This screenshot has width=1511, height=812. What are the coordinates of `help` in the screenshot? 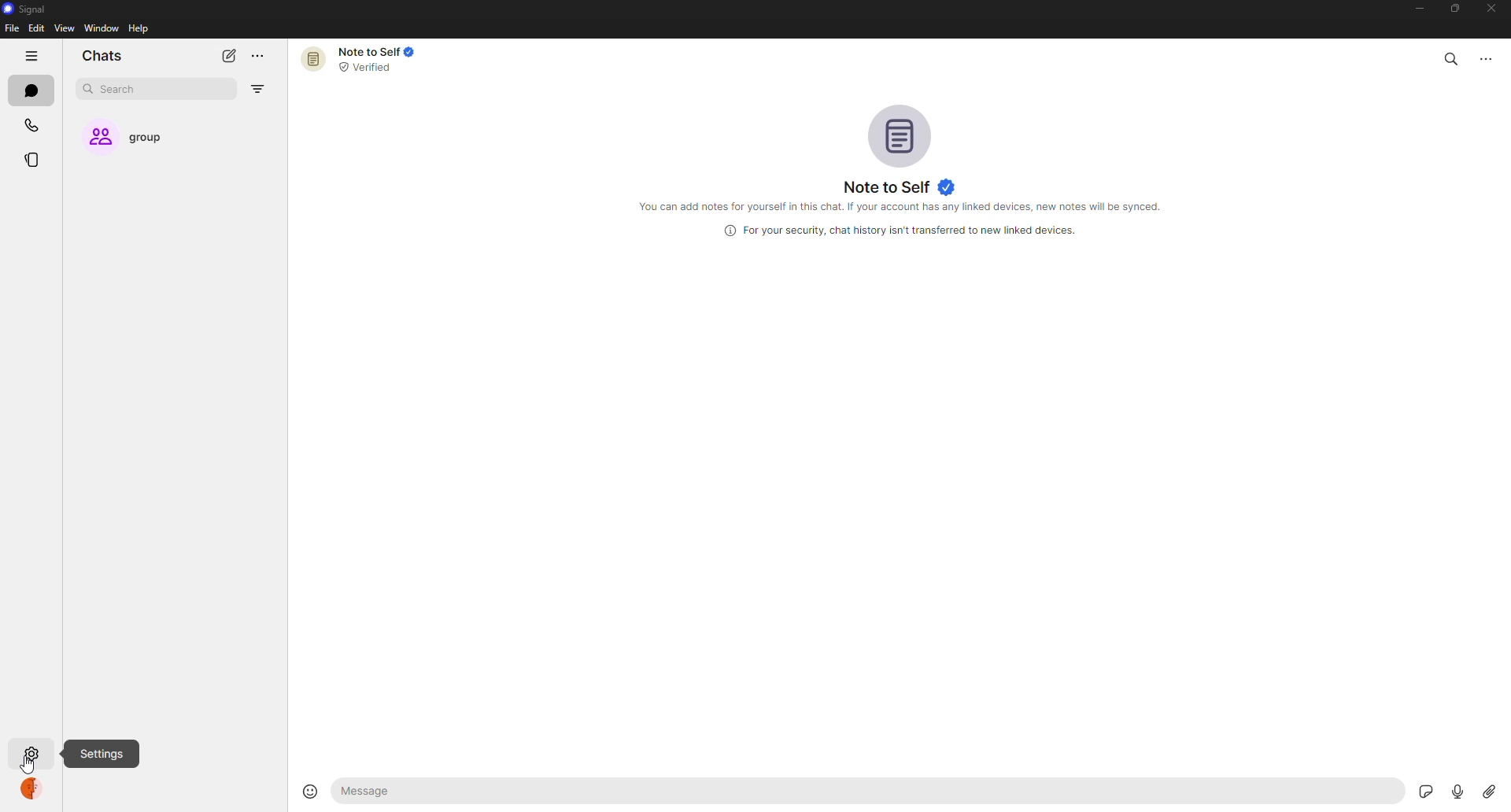 It's located at (140, 28).